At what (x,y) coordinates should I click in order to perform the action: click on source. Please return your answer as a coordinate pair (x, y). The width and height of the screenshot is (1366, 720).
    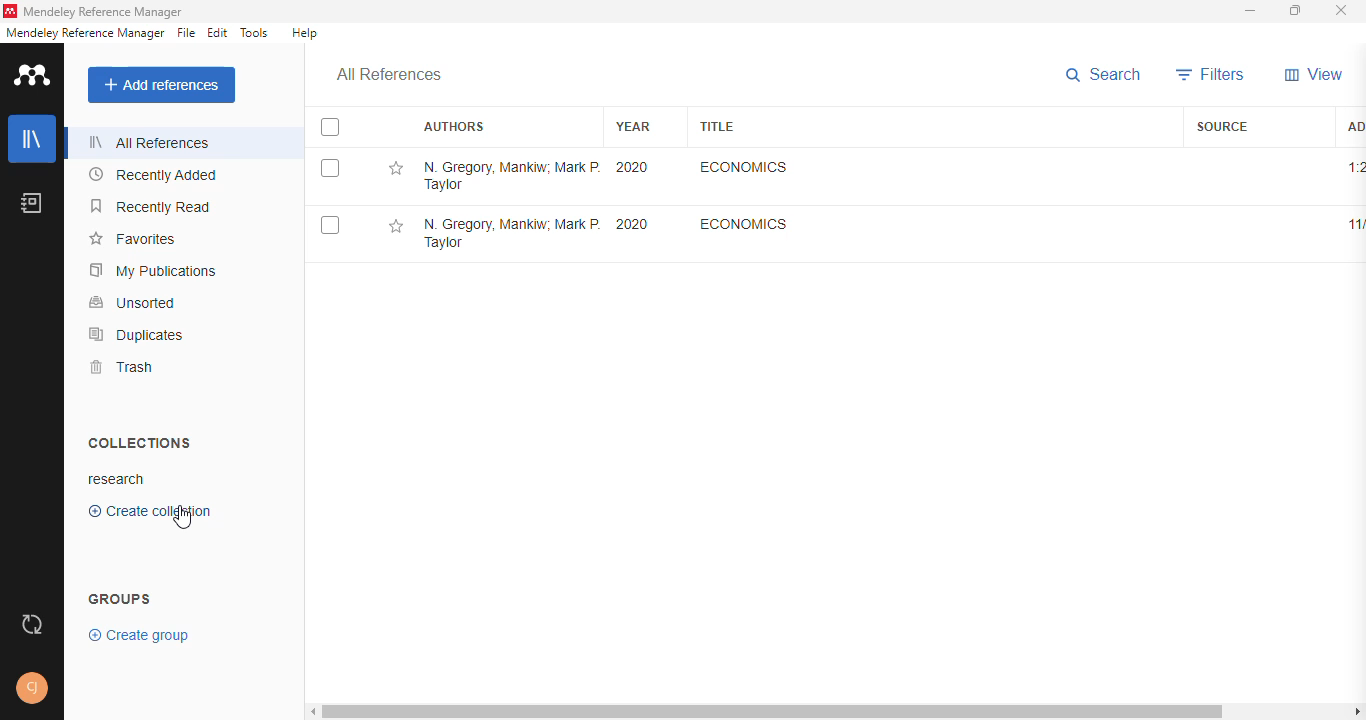
    Looking at the image, I should click on (1222, 126).